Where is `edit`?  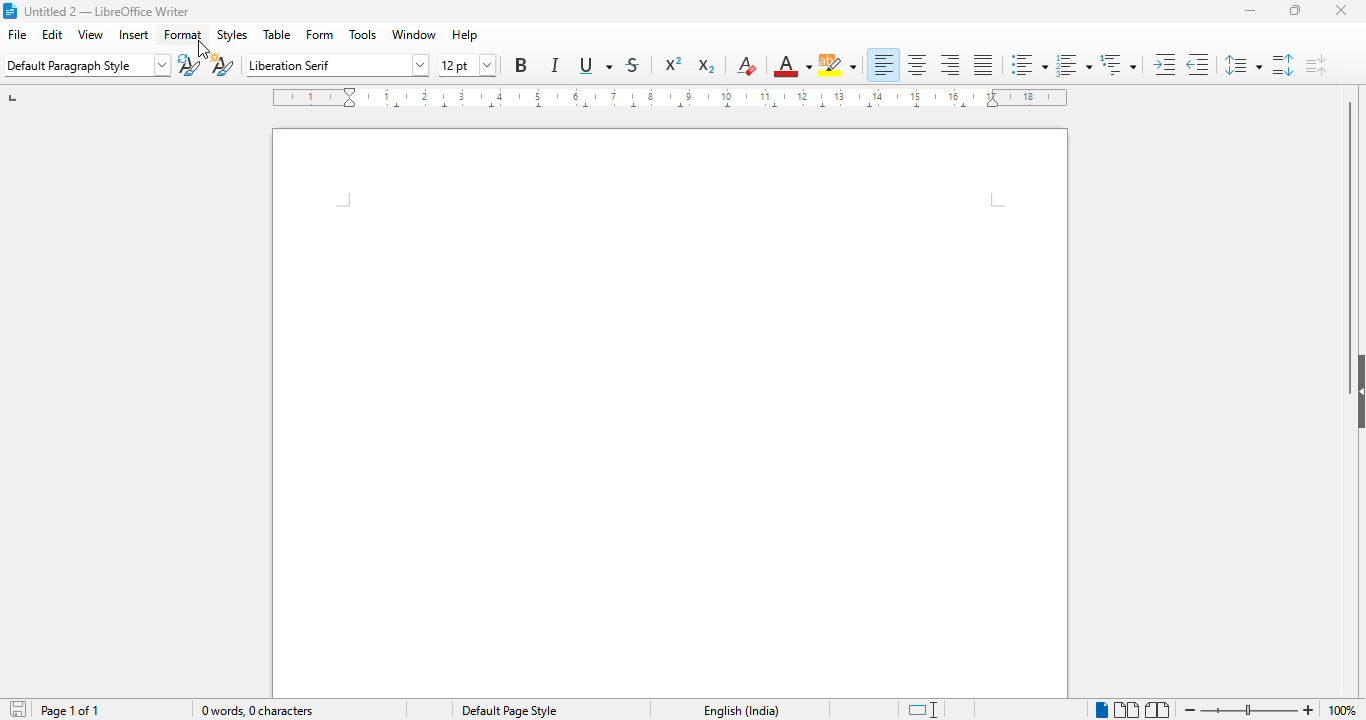
edit is located at coordinates (53, 34).